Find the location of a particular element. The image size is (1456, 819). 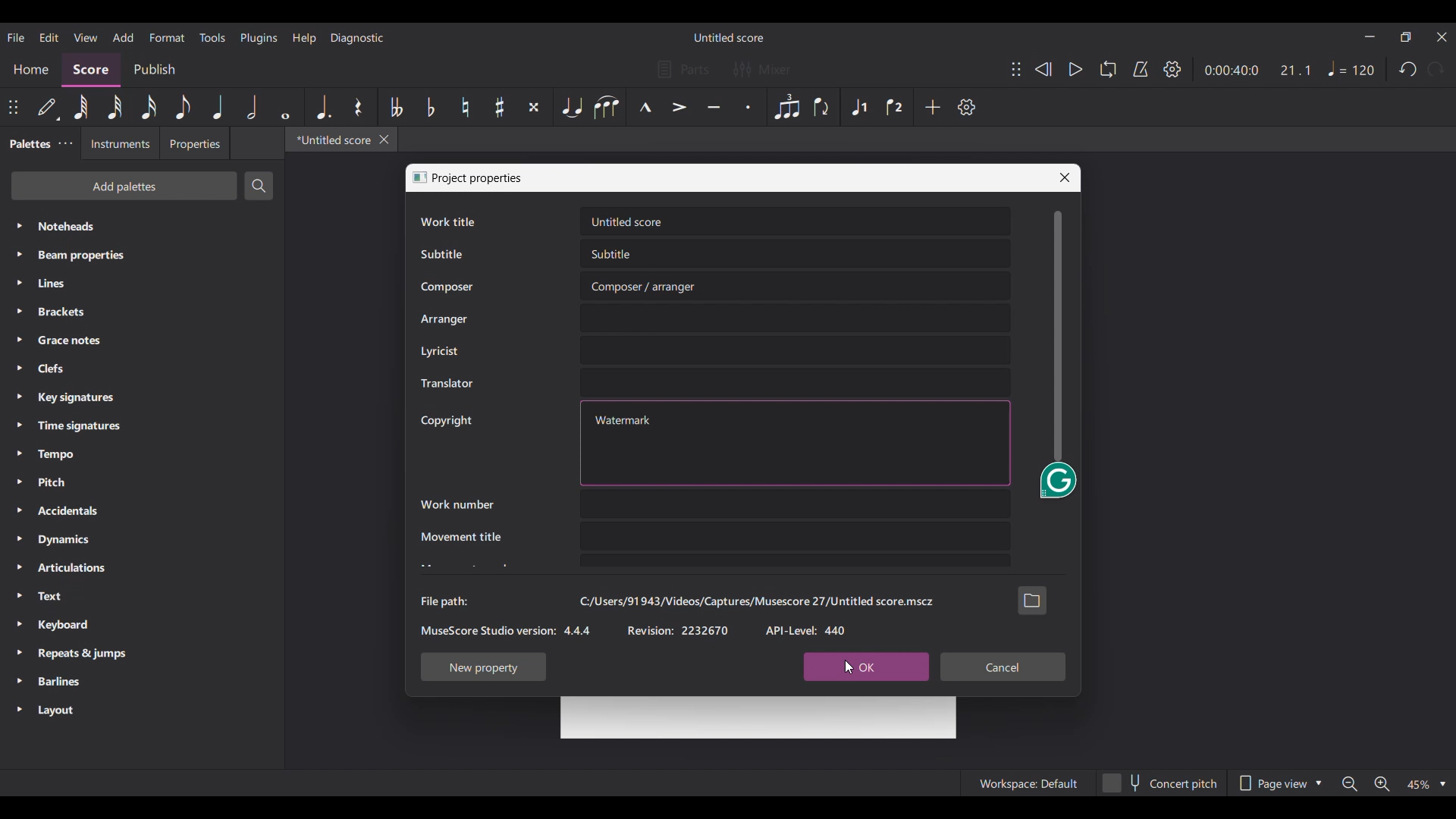

Work number is located at coordinates (457, 504).